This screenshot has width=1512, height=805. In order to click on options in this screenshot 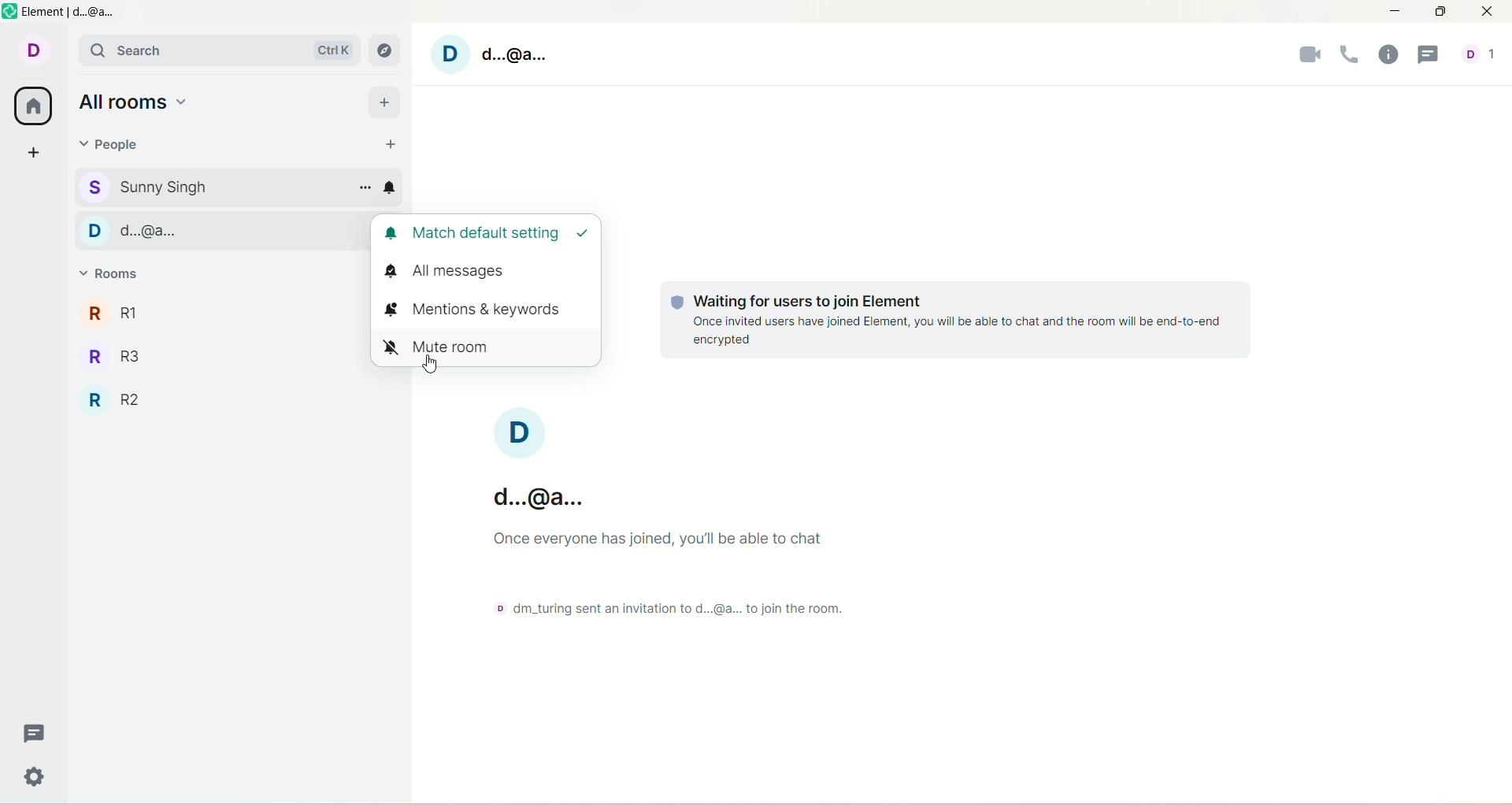, I will do `click(365, 188)`.